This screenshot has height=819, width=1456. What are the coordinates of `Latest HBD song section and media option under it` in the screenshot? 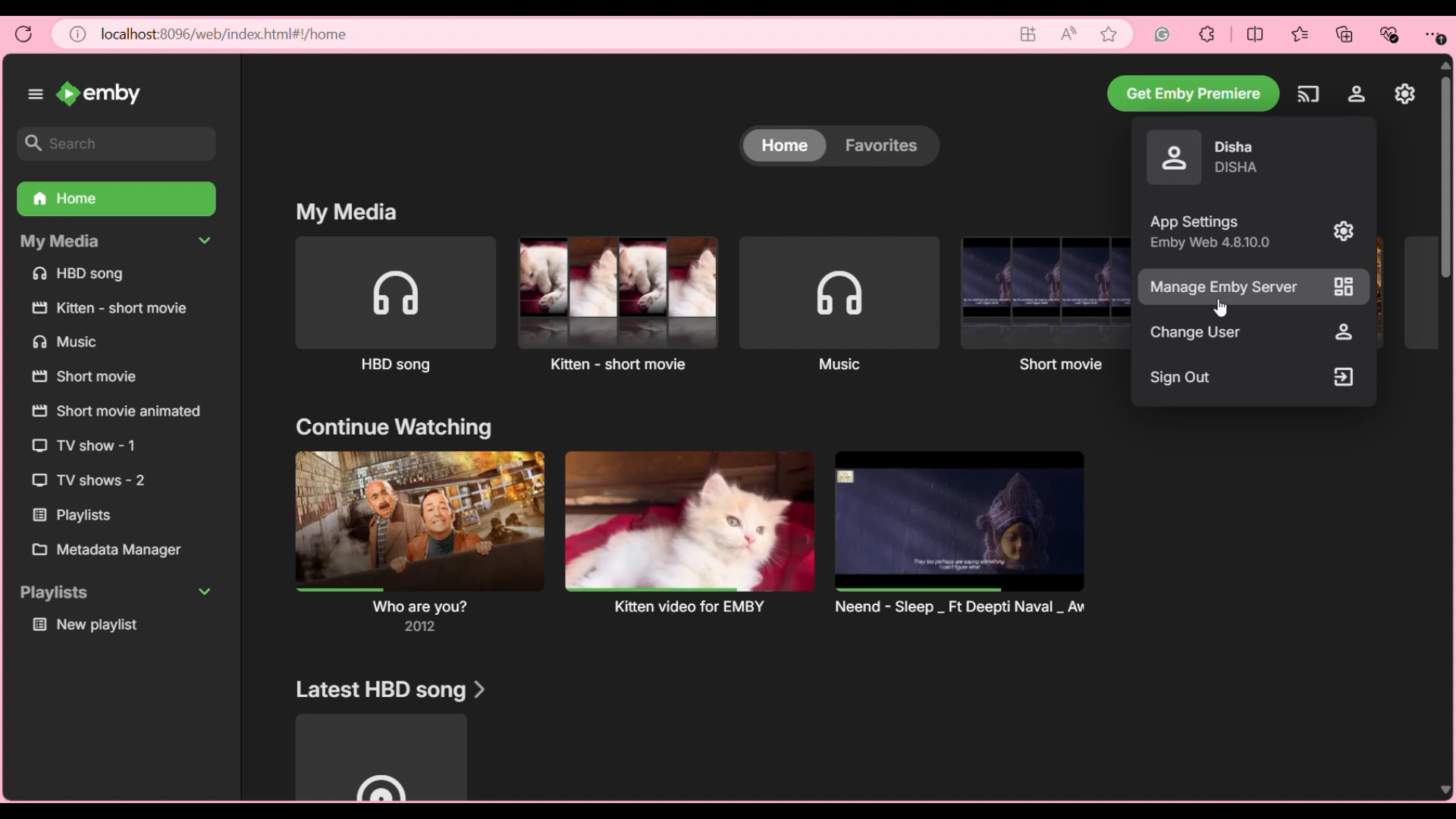 It's located at (388, 738).